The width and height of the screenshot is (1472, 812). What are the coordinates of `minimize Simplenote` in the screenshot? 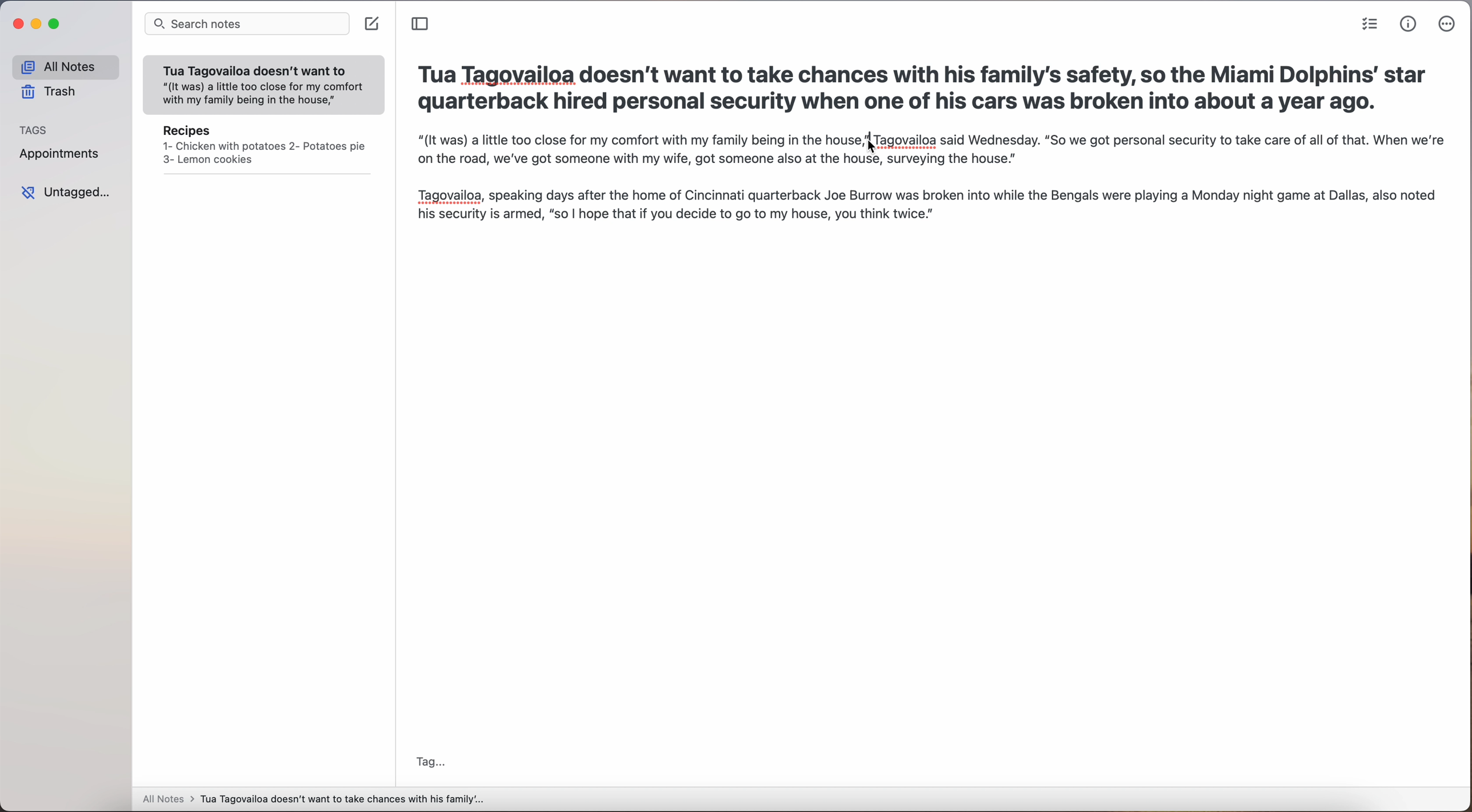 It's located at (38, 24).